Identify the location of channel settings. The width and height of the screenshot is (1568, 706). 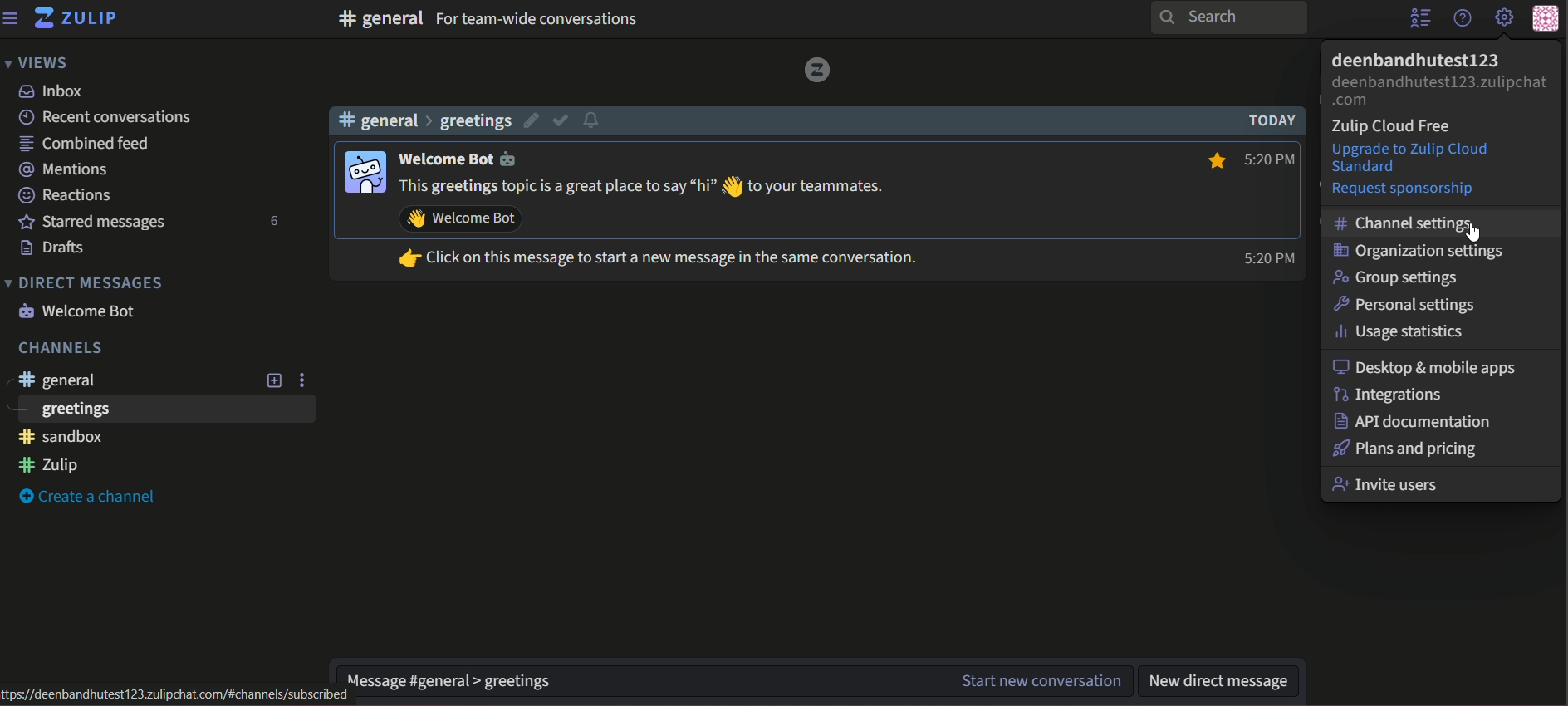
(1407, 223).